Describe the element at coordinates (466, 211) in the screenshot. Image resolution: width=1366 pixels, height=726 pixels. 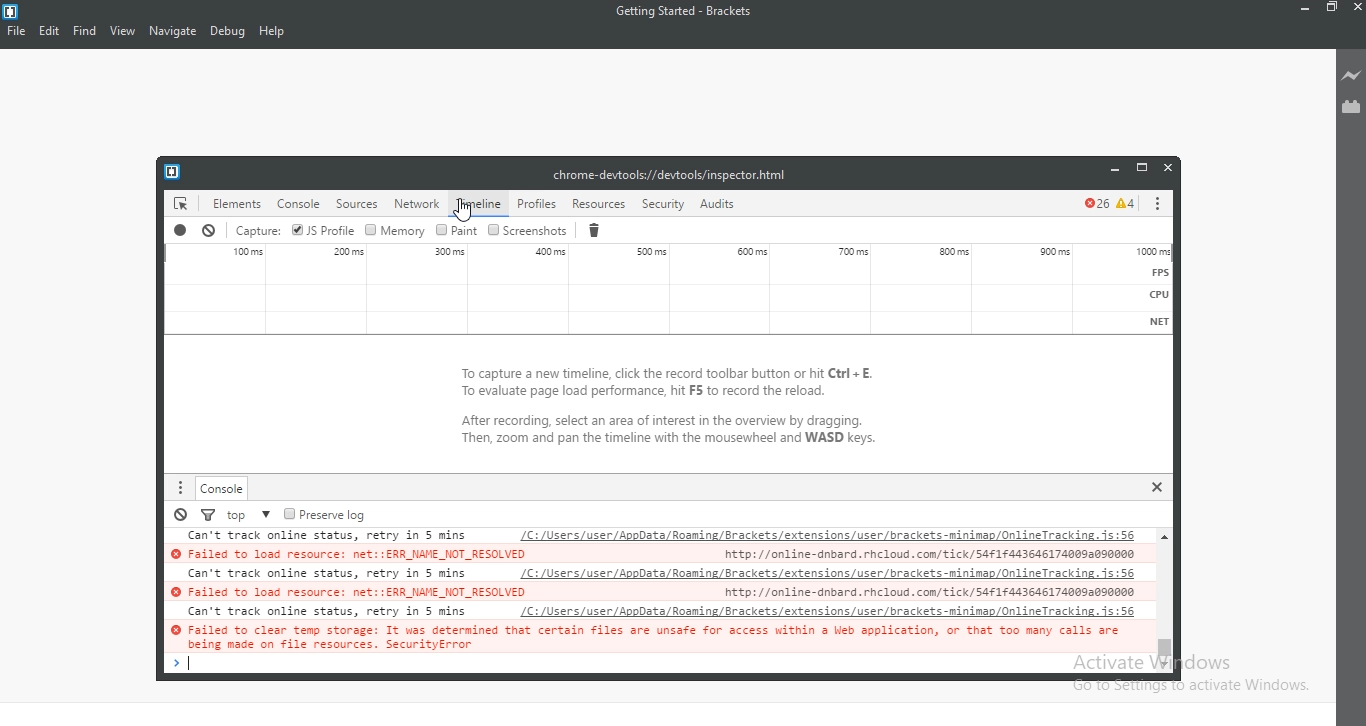
I see `cursor on Timeline` at that location.